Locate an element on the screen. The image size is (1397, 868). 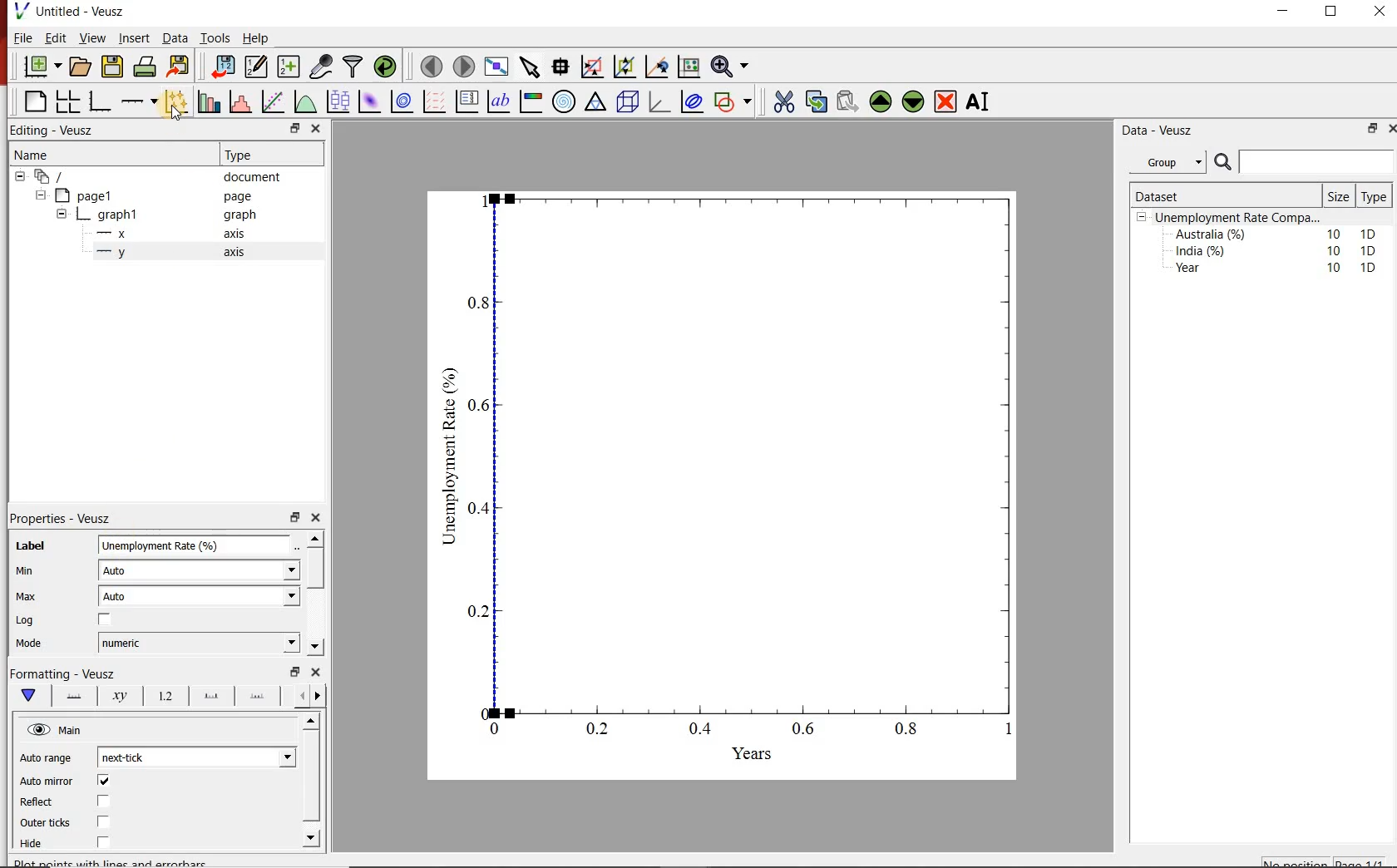
plot vector field is located at coordinates (433, 101).